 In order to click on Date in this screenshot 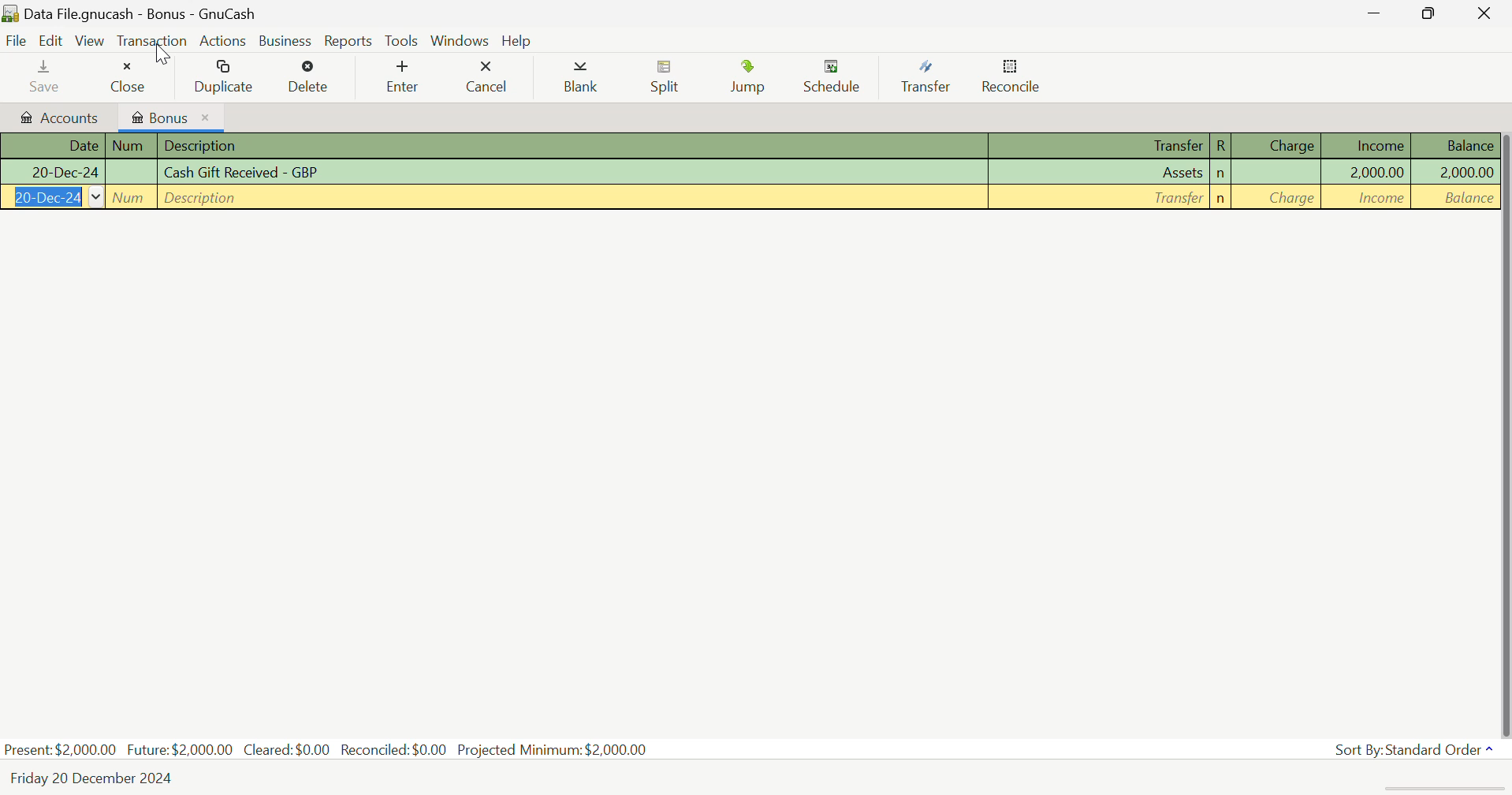, I will do `click(52, 146)`.